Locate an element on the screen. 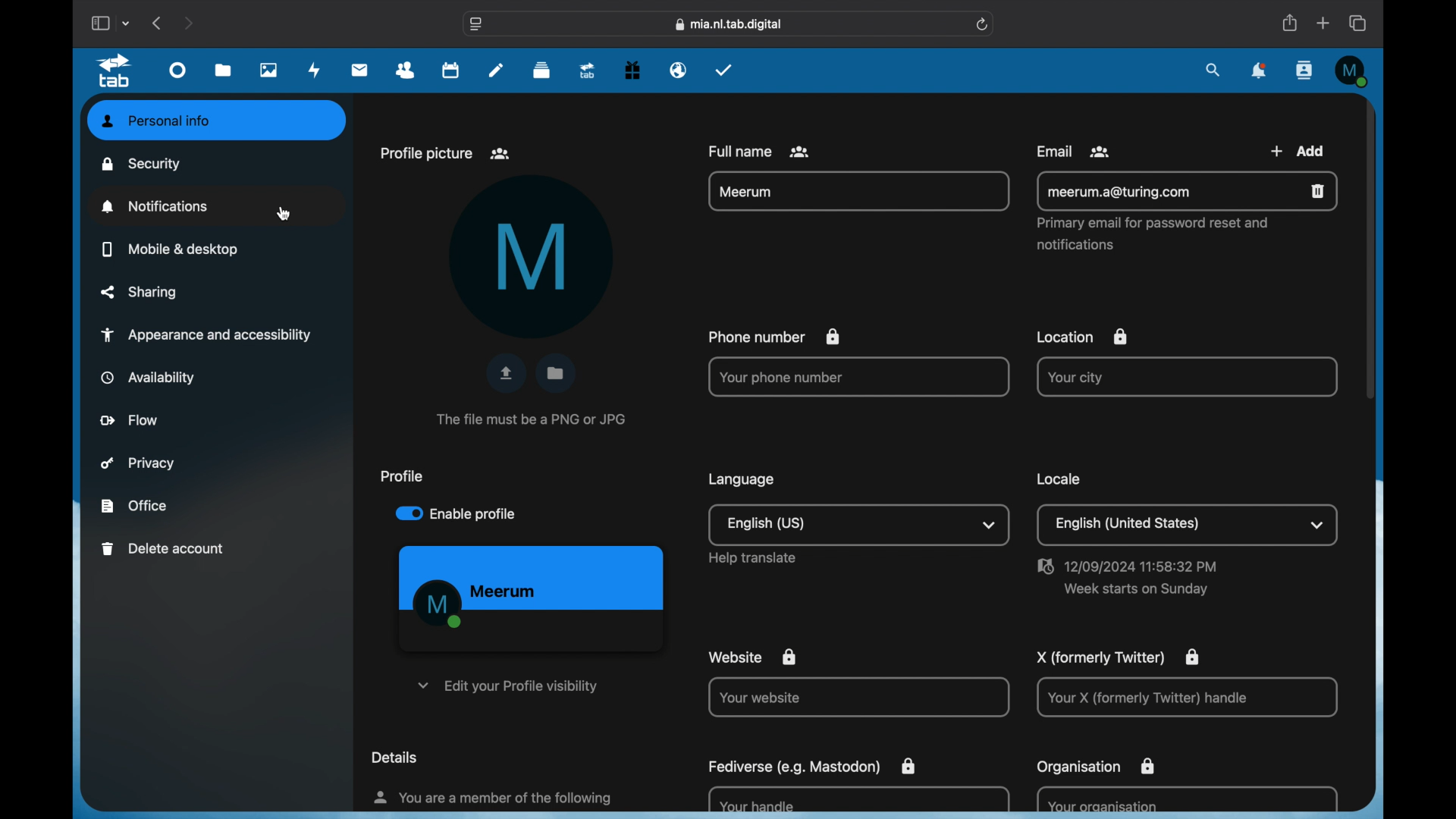 Image resolution: width=1456 pixels, height=819 pixels. cursor is located at coordinates (284, 213).